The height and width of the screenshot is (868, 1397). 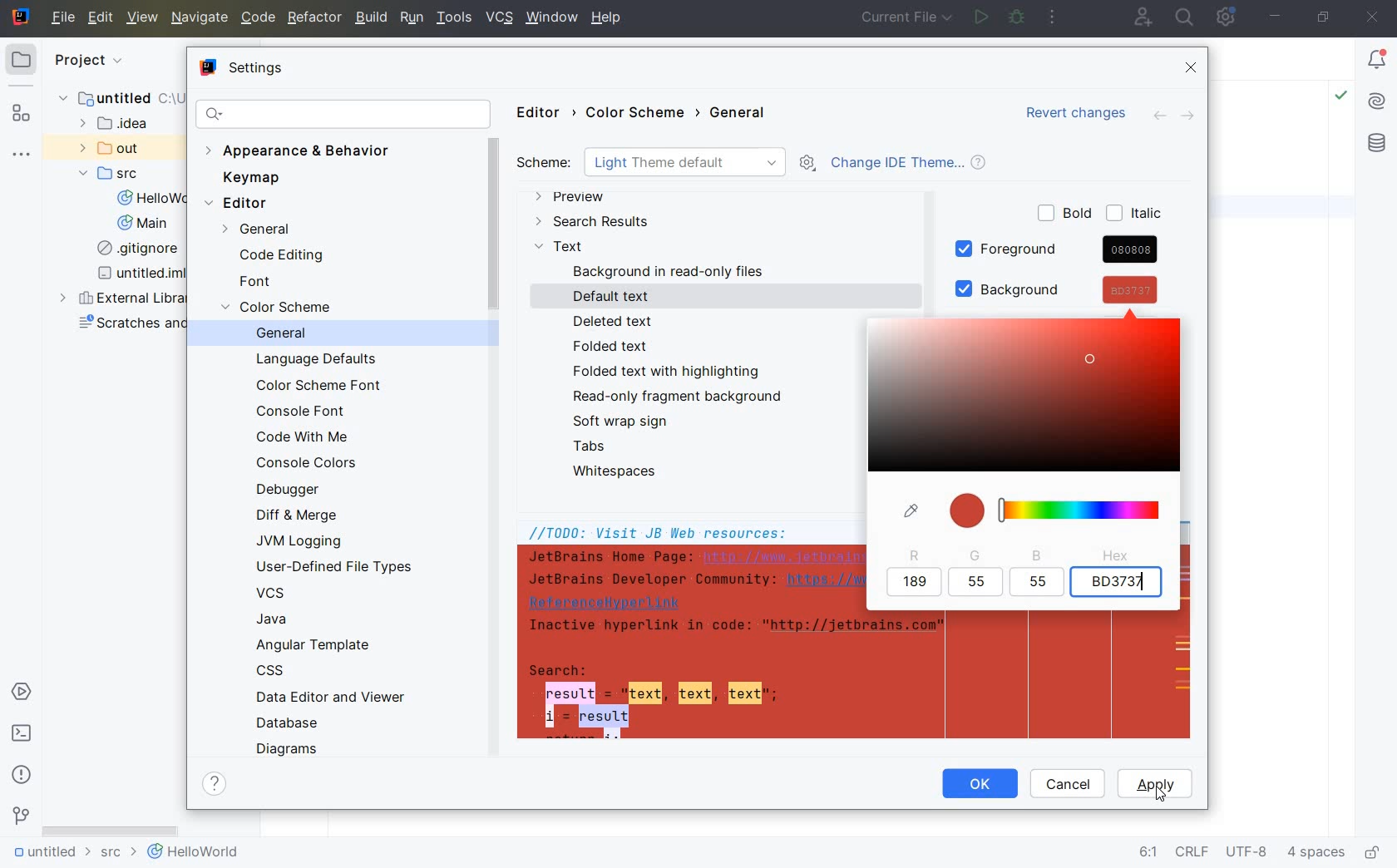 I want to click on CODE EDITING, so click(x=280, y=257).